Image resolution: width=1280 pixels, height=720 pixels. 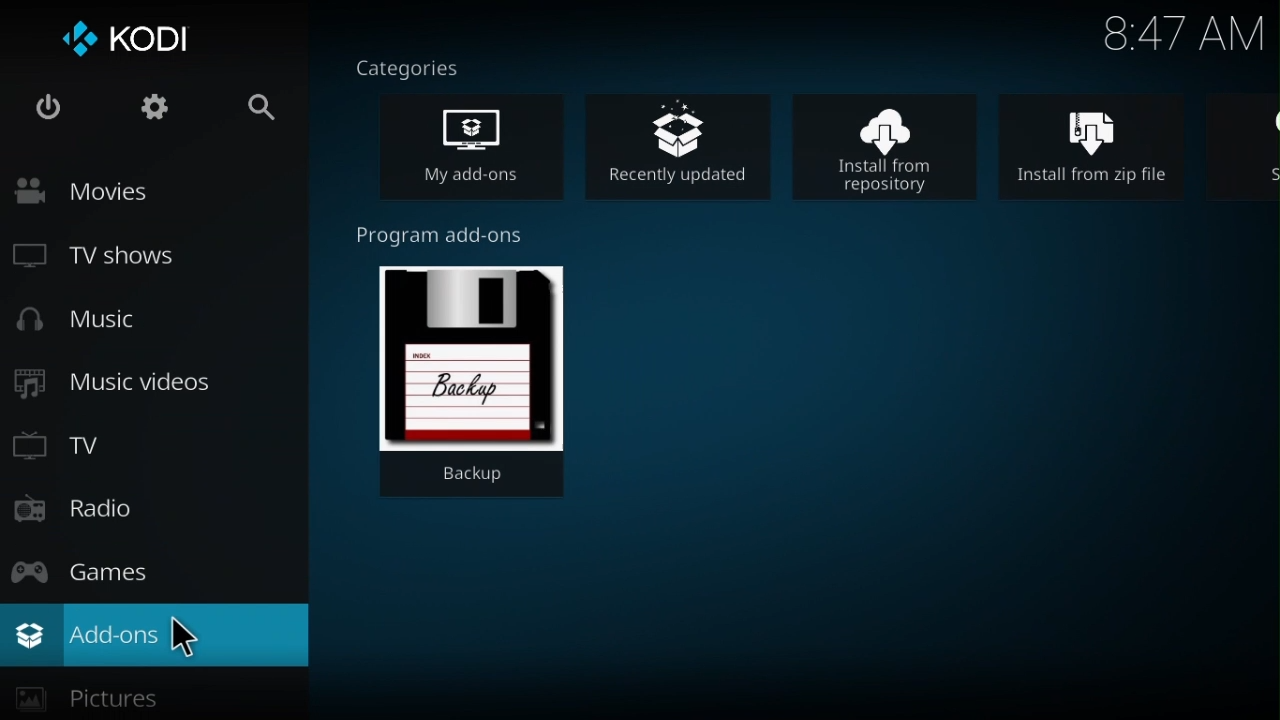 What do you see at coordinates (48, 111) in the screenshot?
I see `Power` at bounding box center [48, 111].